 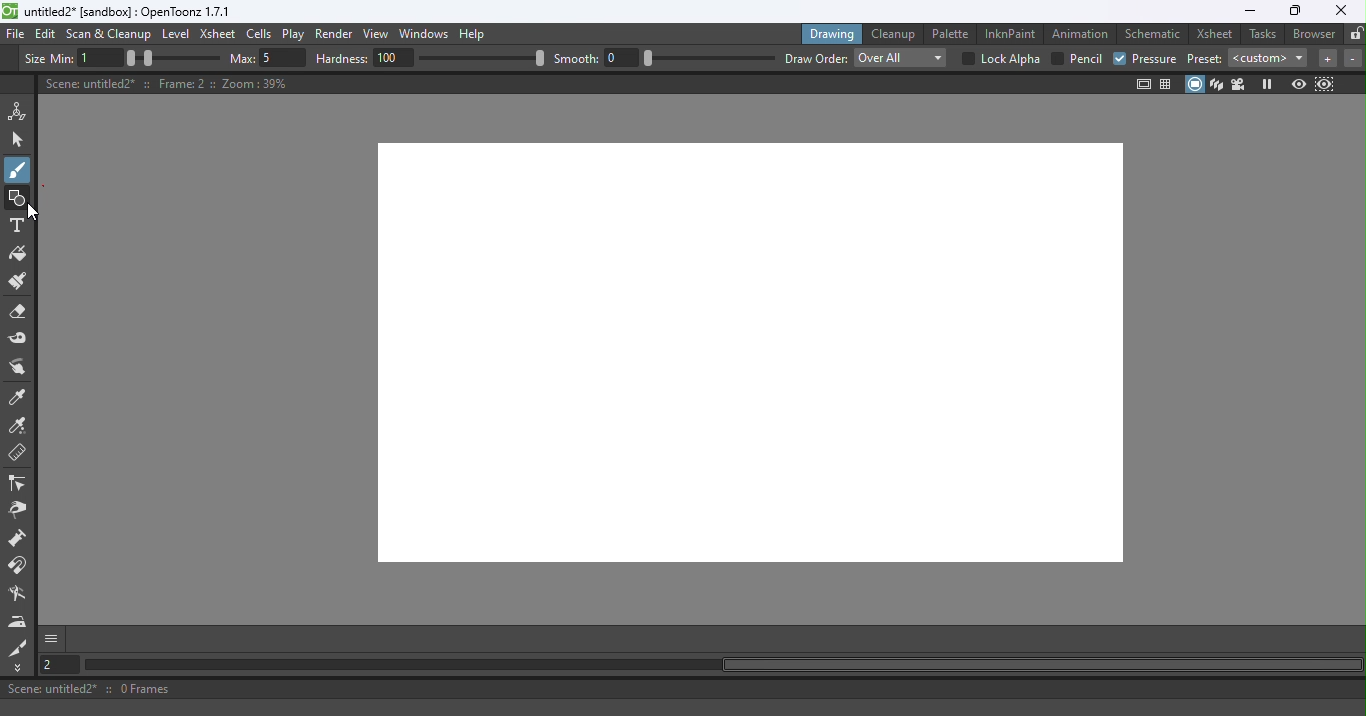 What do you see at coordinates (17, 227) in the screenshot?
I see `Type tool` at bounding box center [17, 227].